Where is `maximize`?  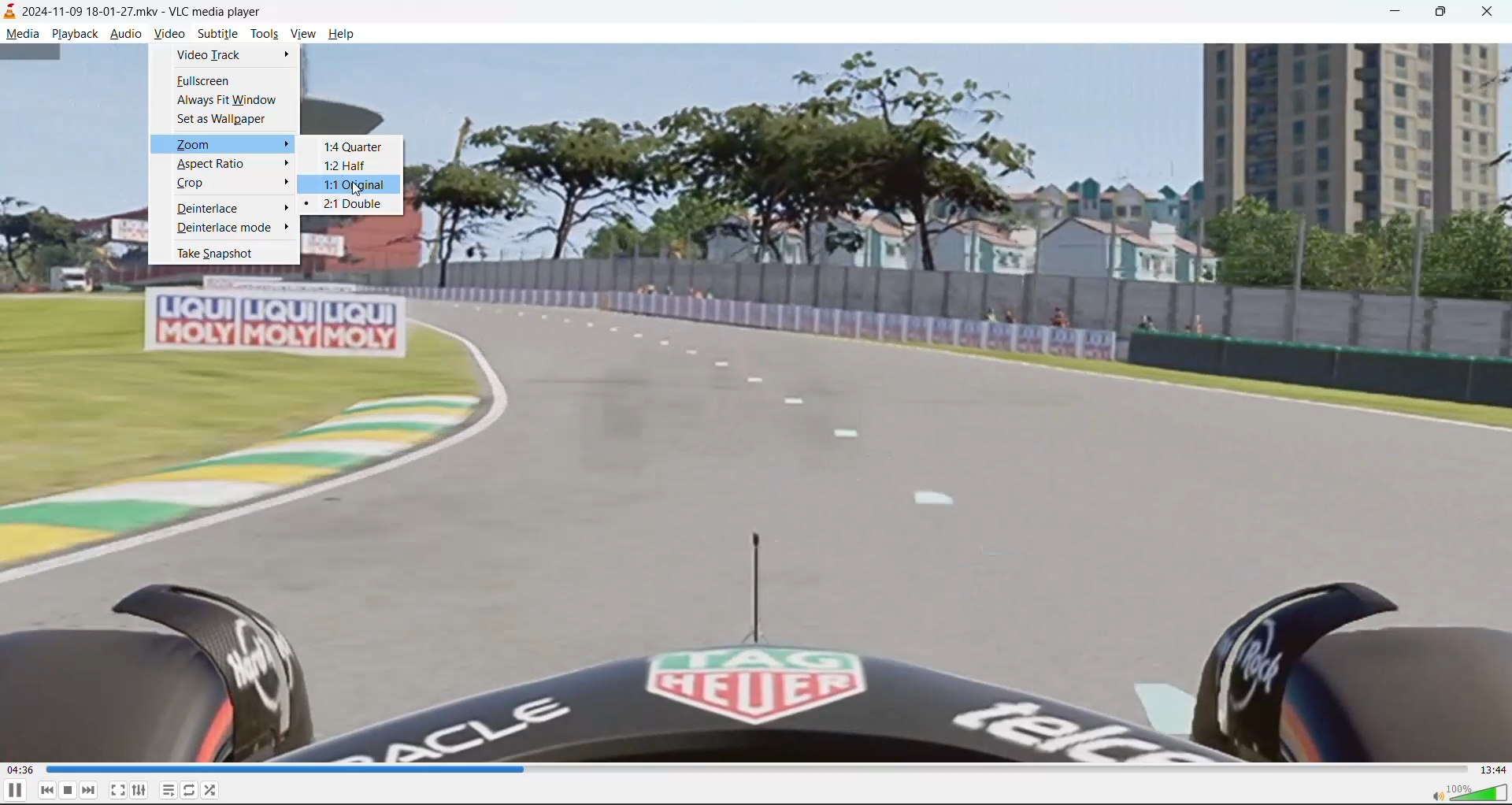 maximize is located at coordinates (1441, 13).